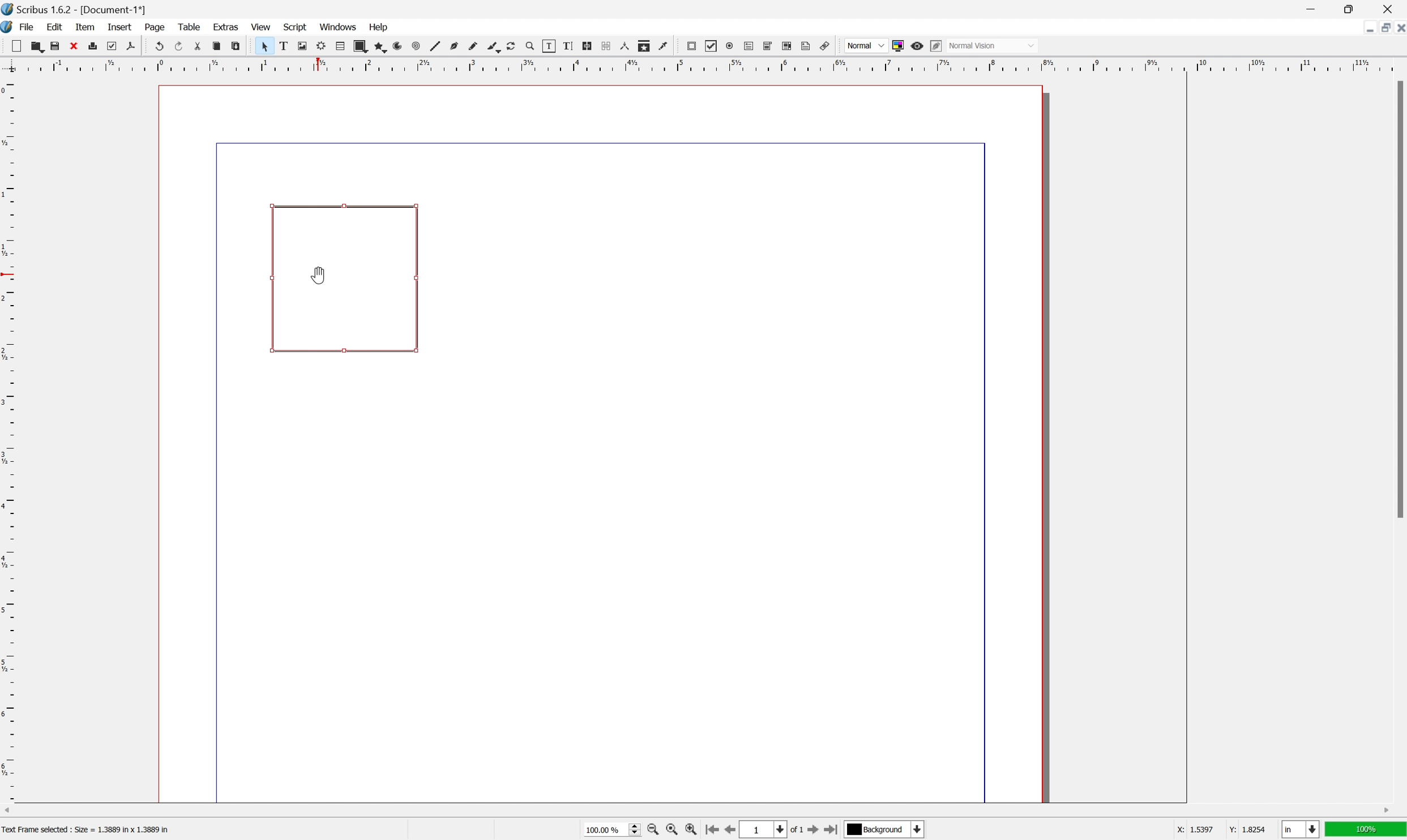  I want to click on edit in preview mode, so click(935, 45).